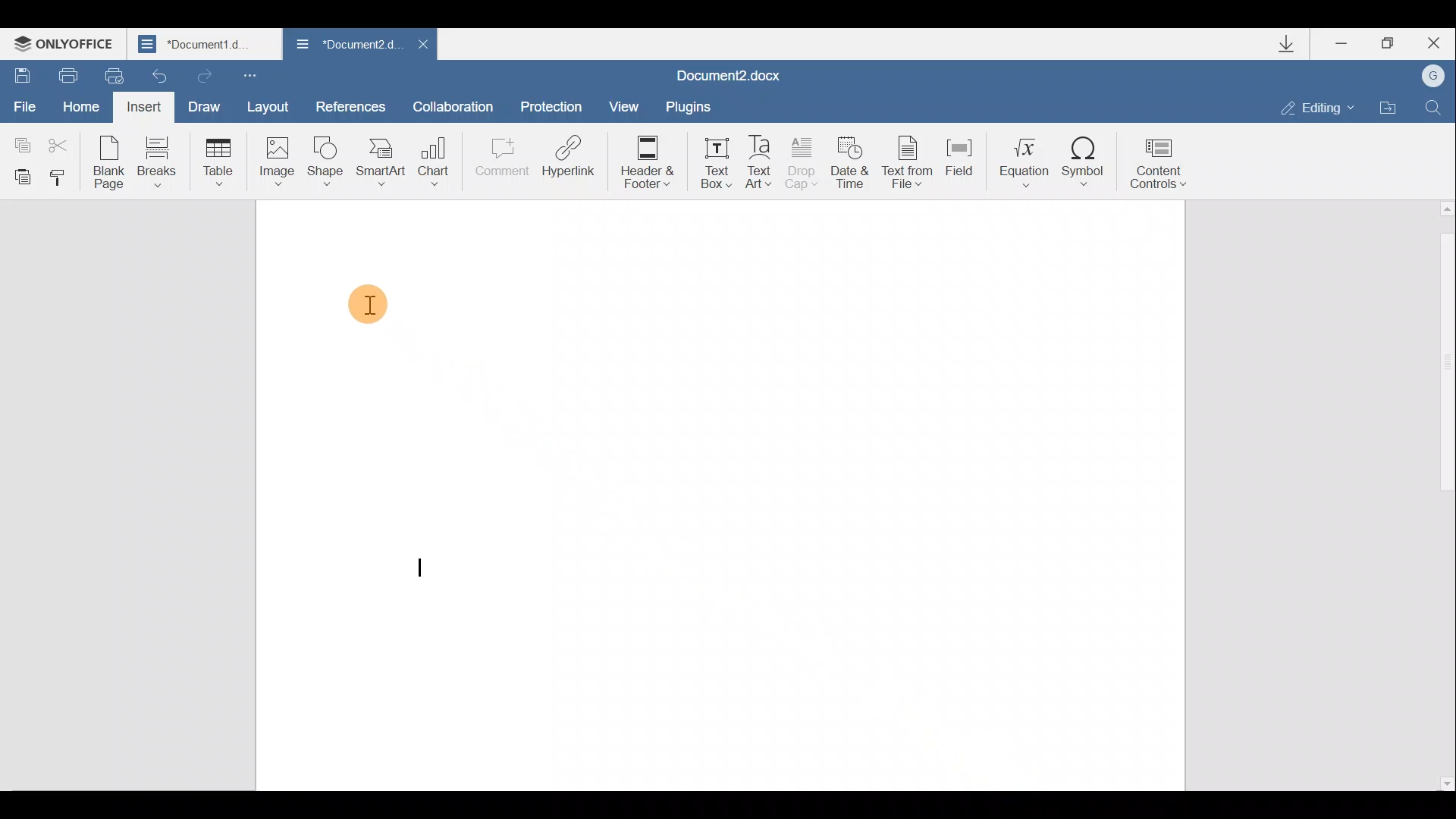 The width and height of the screenshot is (1456, 819). What do you see at coordinates (909, 165) in the screenshot?
I see `Text from file` at bounding box center [909, 165].